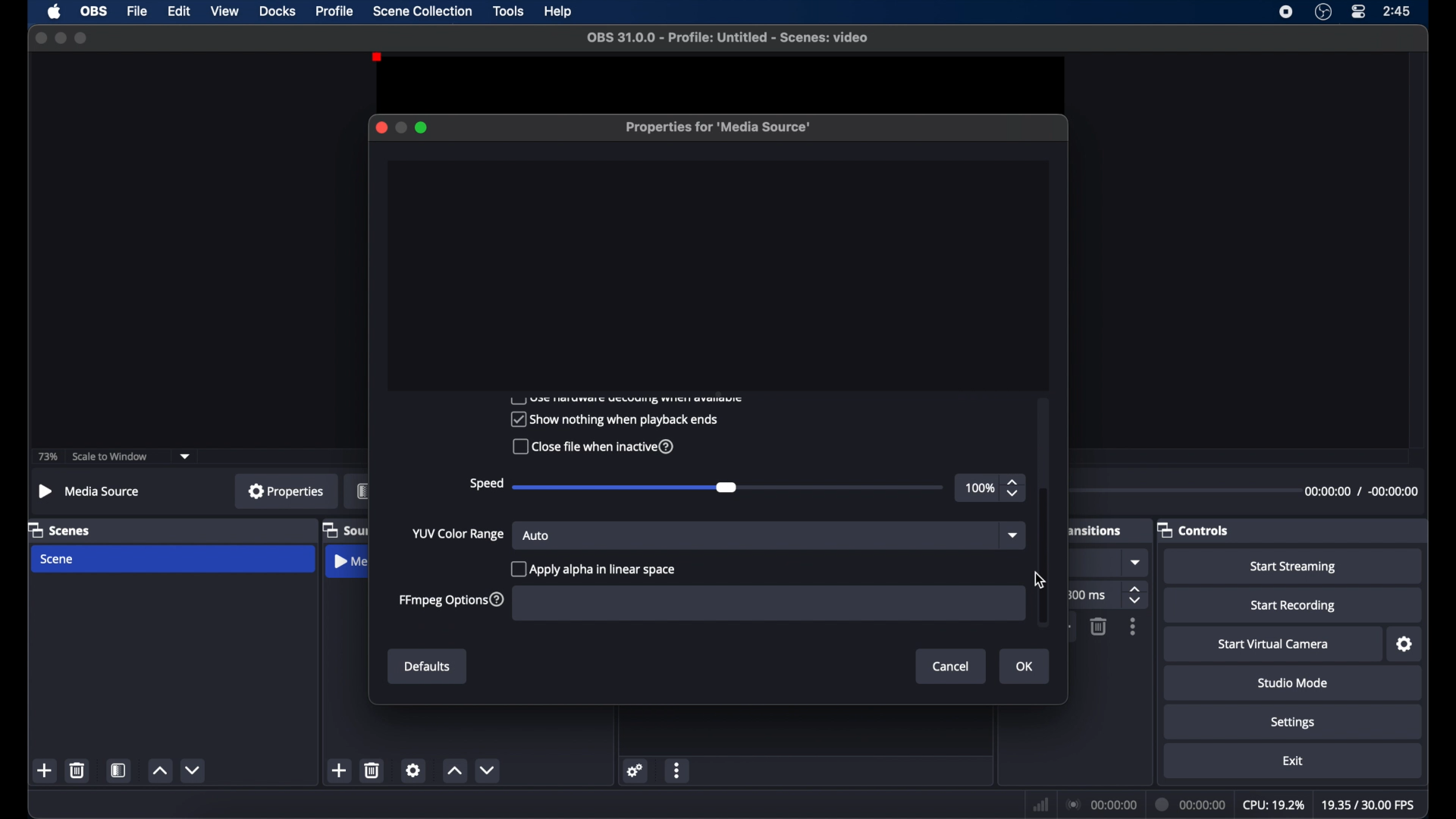 Image resolution: width=1456 pixels, height=819 pixels. I want to click on cpu, so click(1272, 804).